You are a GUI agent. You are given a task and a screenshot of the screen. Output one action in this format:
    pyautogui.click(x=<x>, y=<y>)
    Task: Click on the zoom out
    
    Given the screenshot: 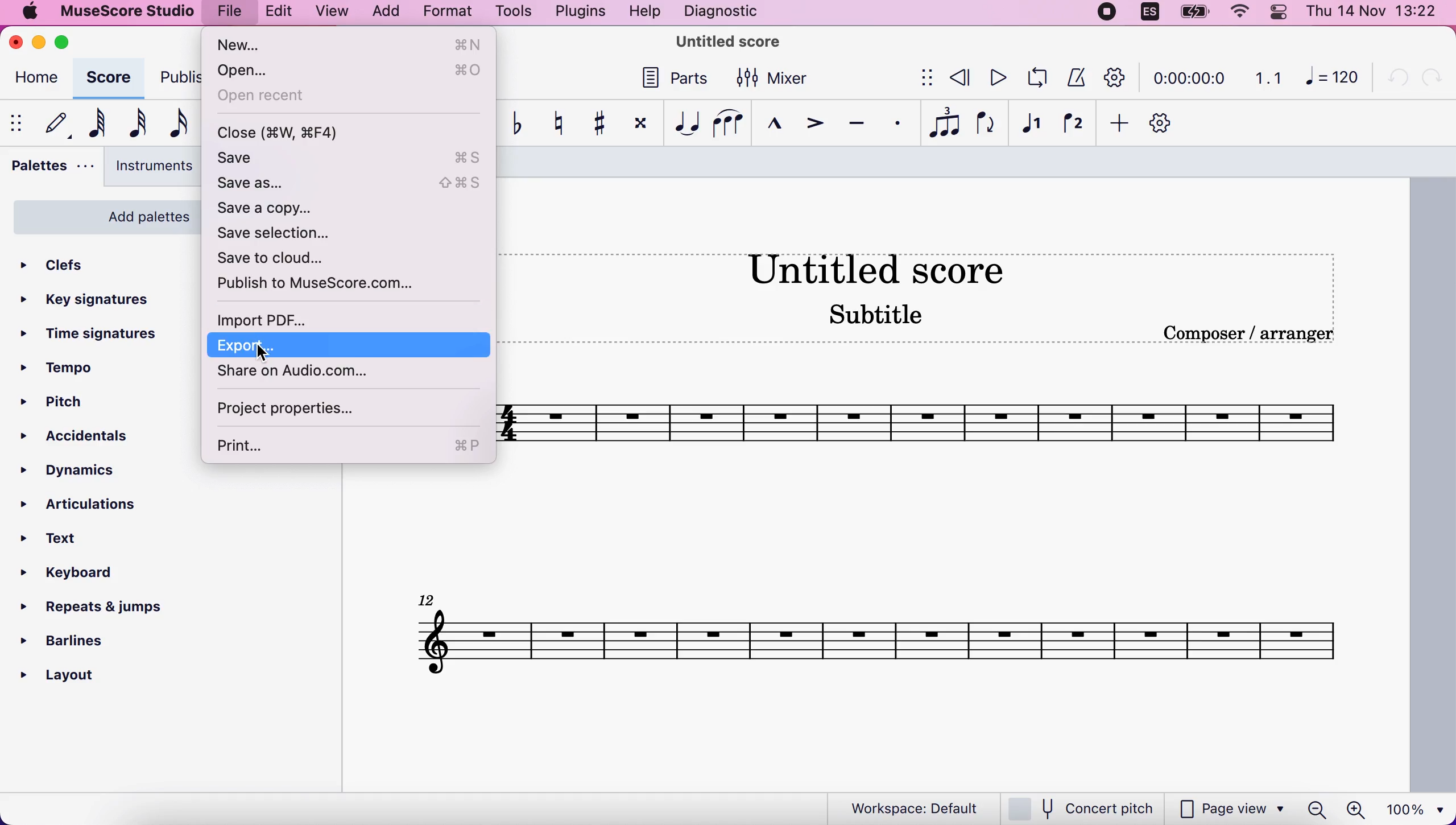 What is the action you would take?
    pyautogui.click(x=1313, y=809)
    